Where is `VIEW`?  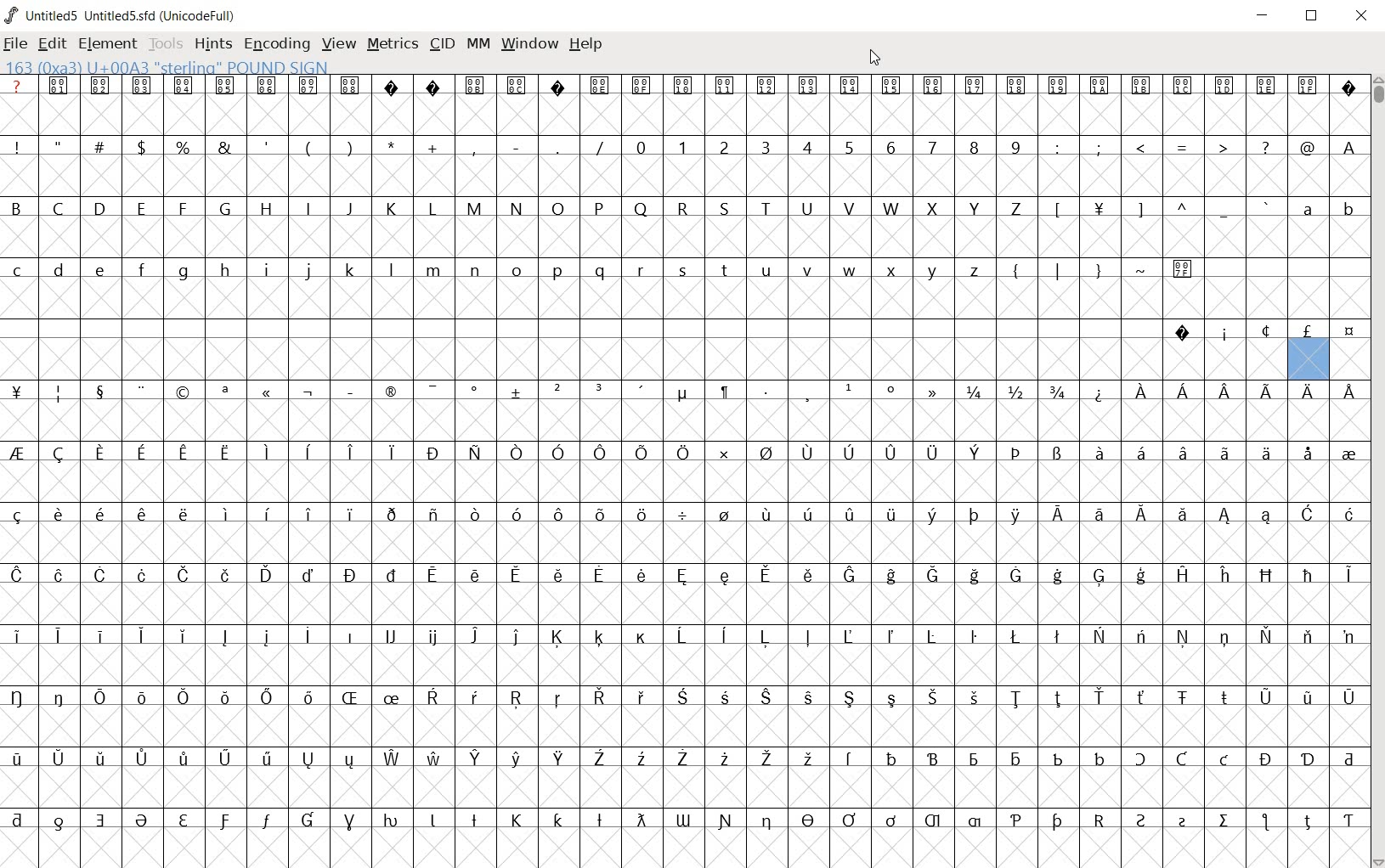 VIEW is located at coordinates (338, 42).